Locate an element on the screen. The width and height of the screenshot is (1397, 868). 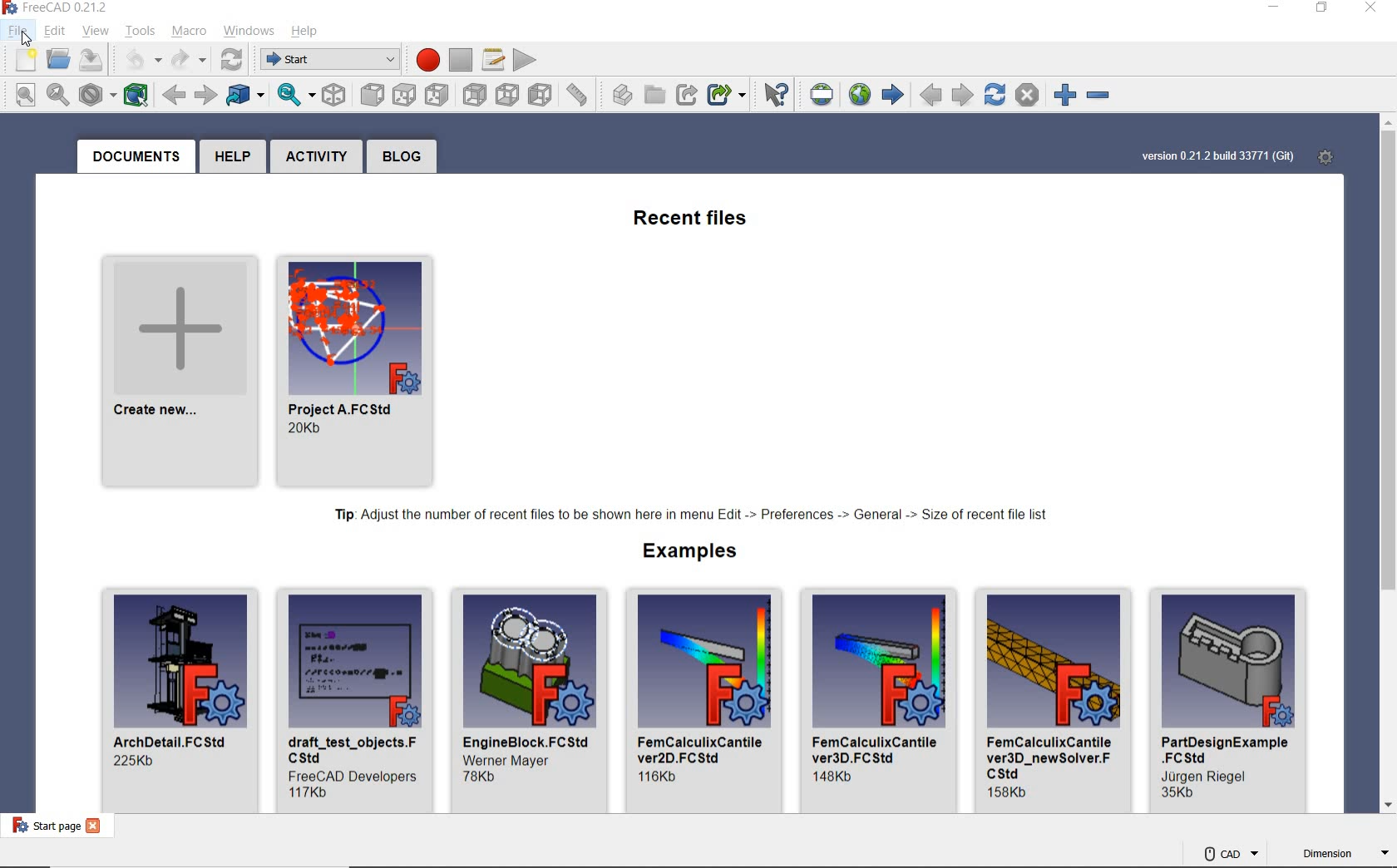
HELP is located at coordinates (233, 156).